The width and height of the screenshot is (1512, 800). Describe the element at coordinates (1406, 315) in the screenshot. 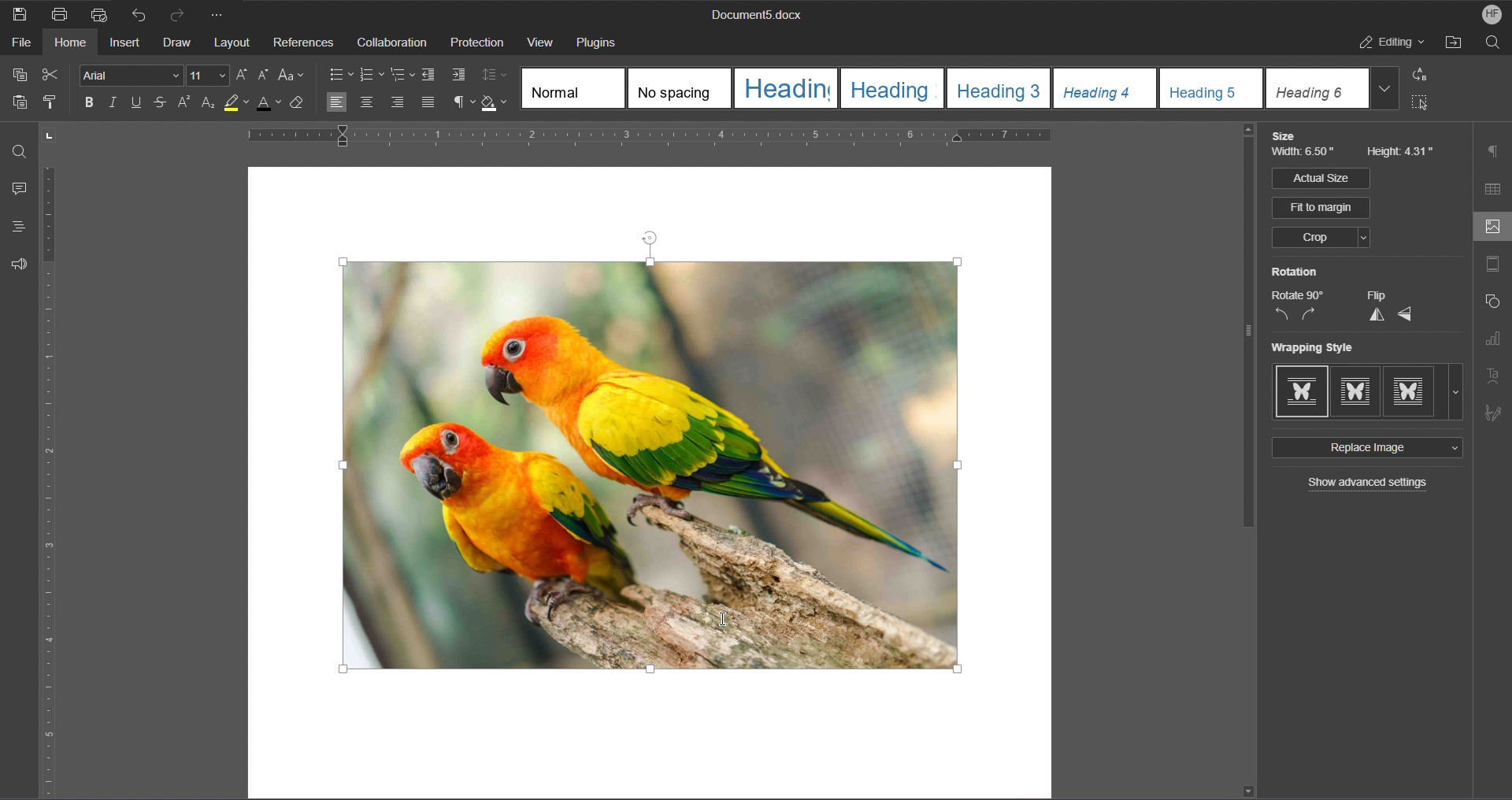

I see `Horizontal Flip` at that location.